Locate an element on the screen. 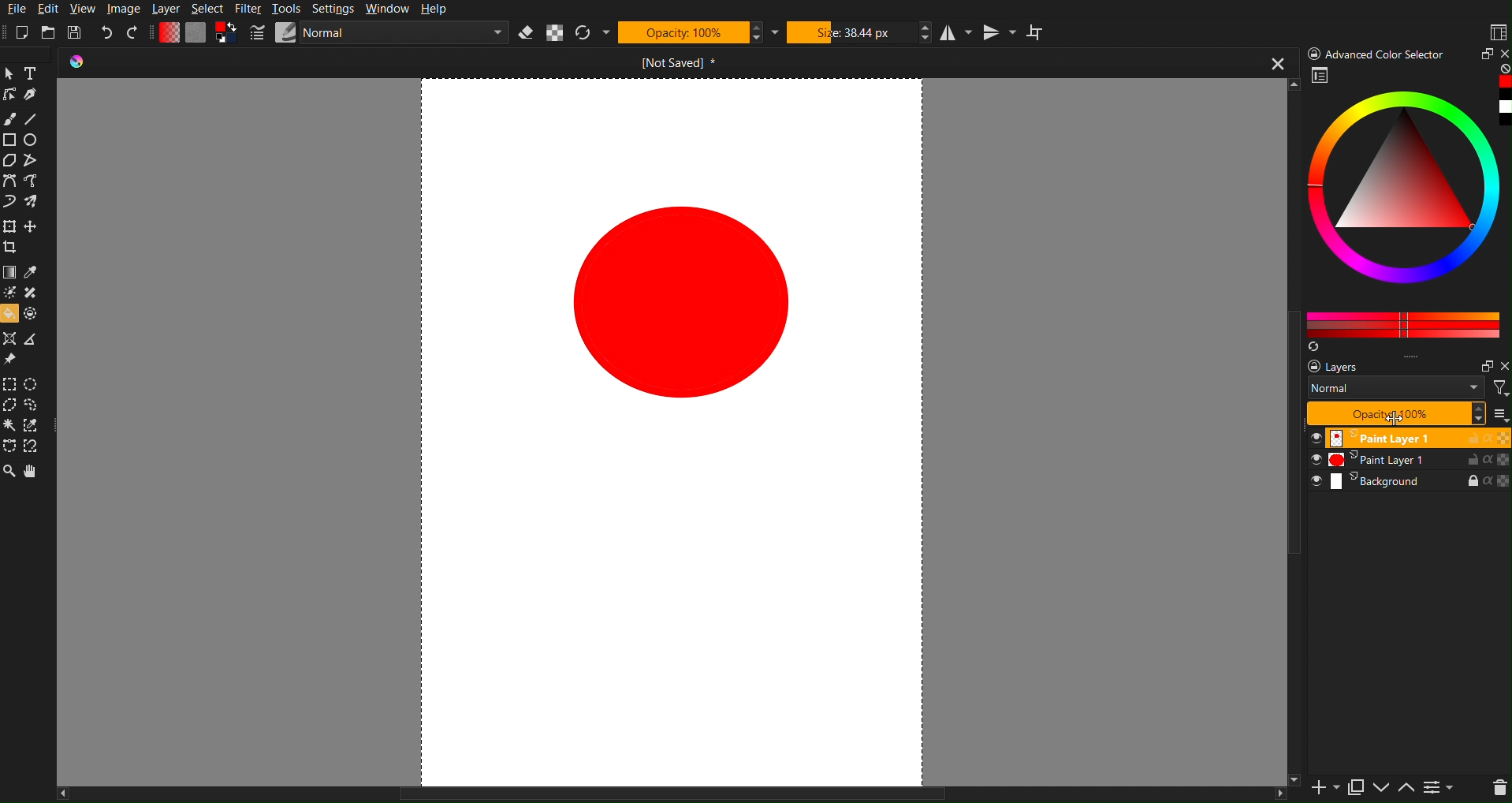 Image resolution: width=1512 pixels, height=803 pixels. Tools is located at coordinates (288, 9).